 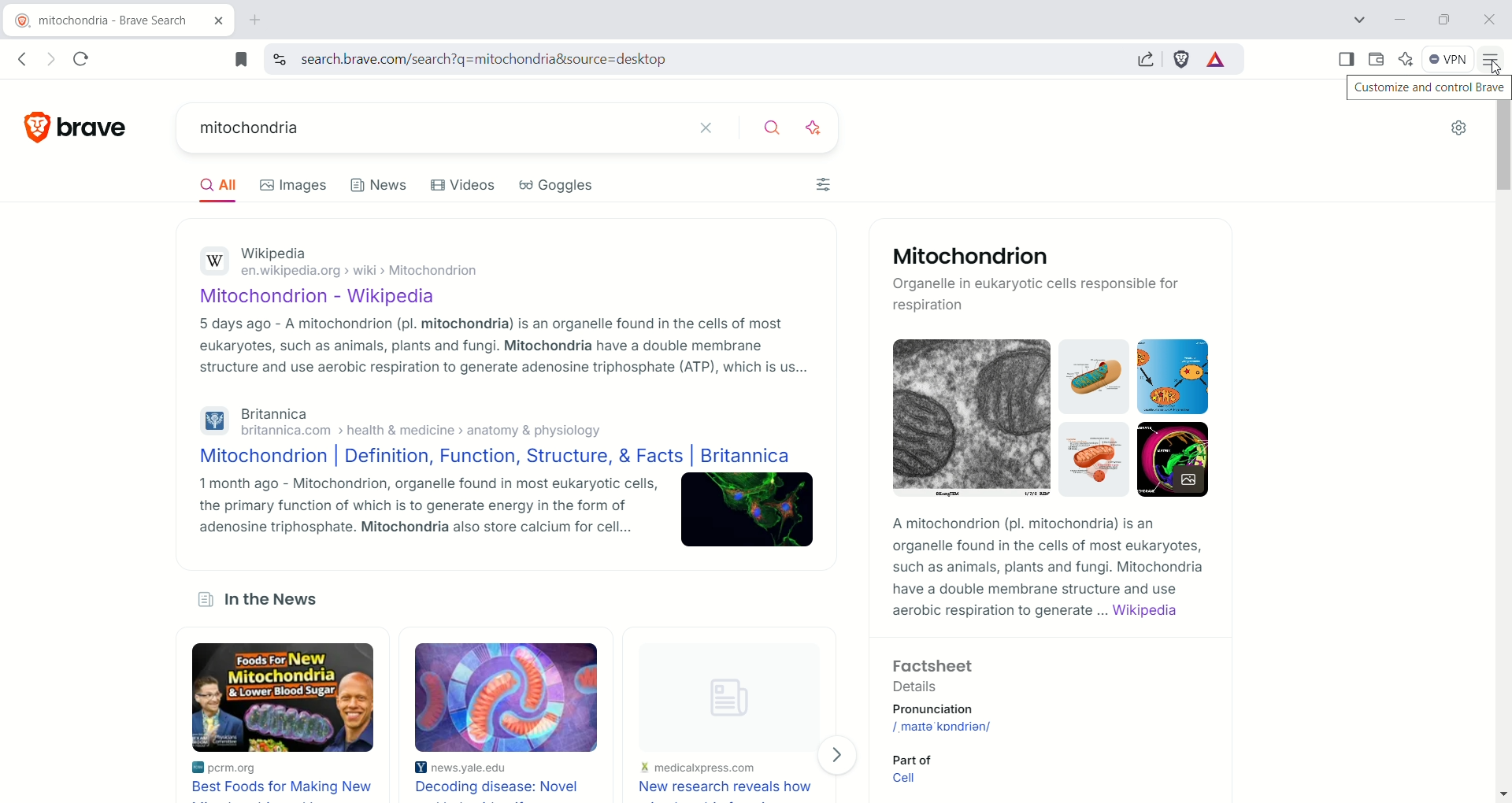 I want to click on filters, so click(x=815, y=187).